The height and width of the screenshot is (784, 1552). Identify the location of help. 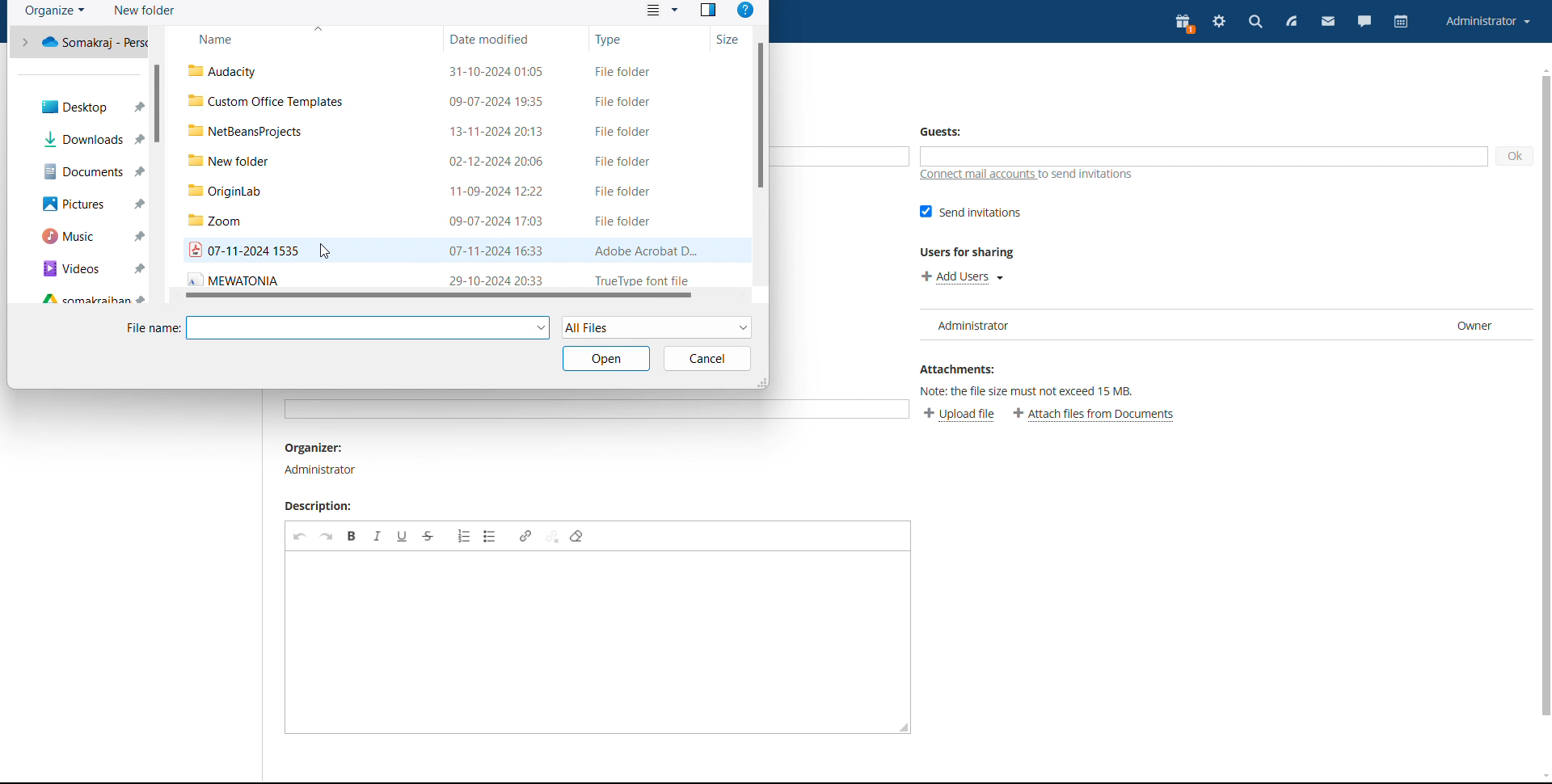
(748, 11).